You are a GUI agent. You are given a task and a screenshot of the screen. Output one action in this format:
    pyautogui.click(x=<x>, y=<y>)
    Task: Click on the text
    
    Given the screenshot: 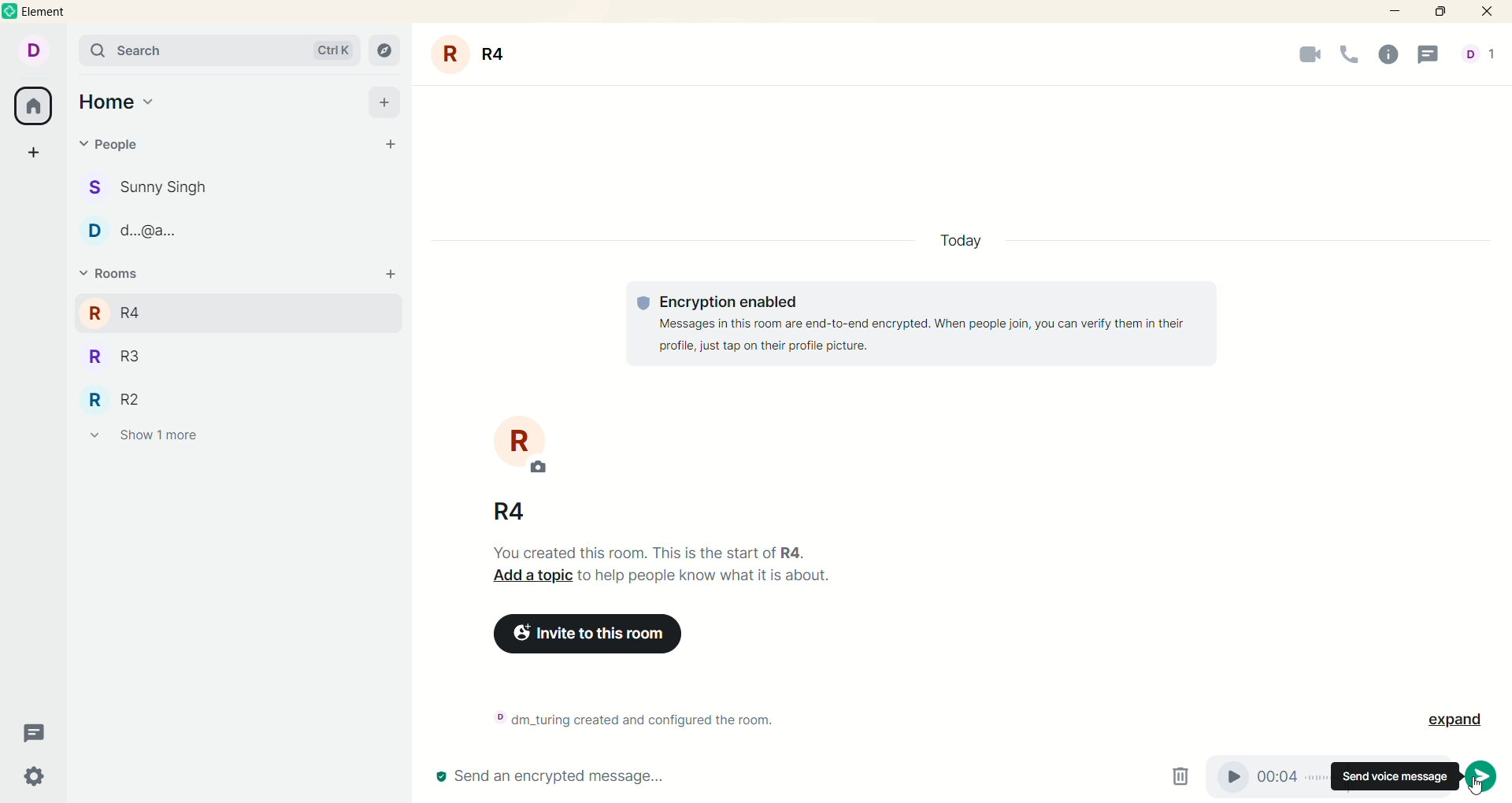 What is the action you would take?
    pyautogui.click(x=673, y=570)
    